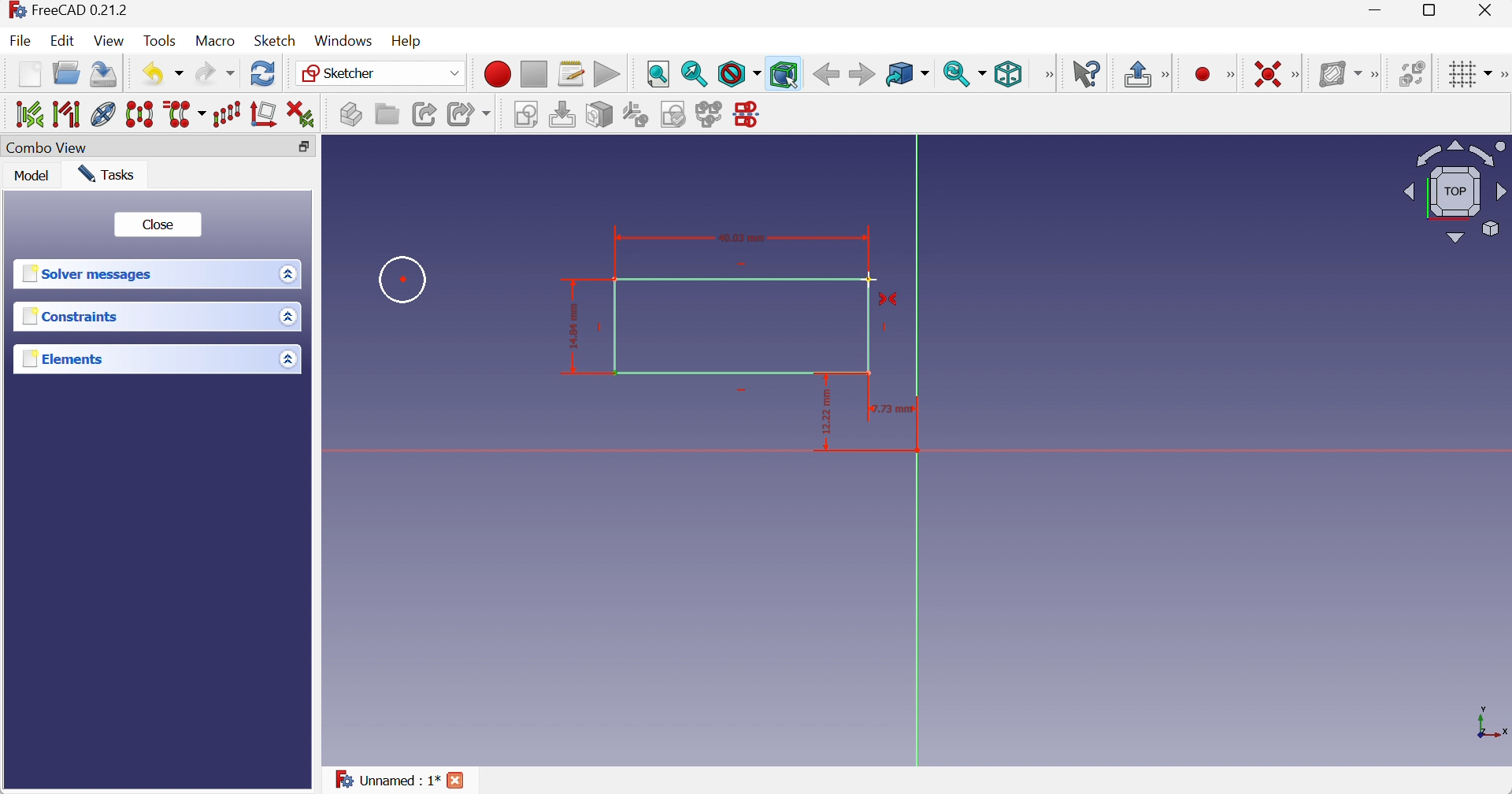  What do you see at coordinates (143, 113) in the screenshot?
I see `Symmetry` at bounding box center [143, 113].